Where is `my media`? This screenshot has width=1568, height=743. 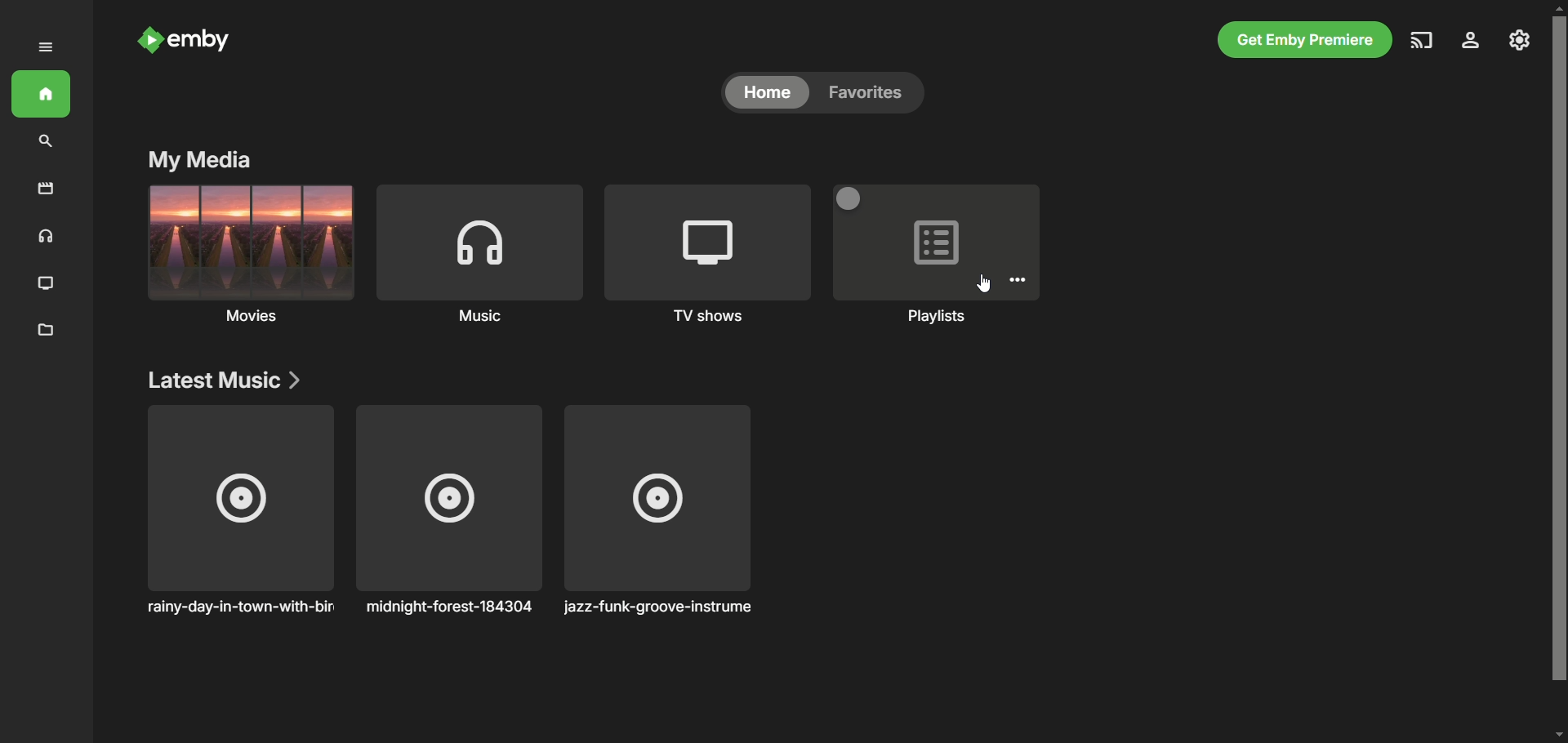
my media is located at coordinates (203, 161).